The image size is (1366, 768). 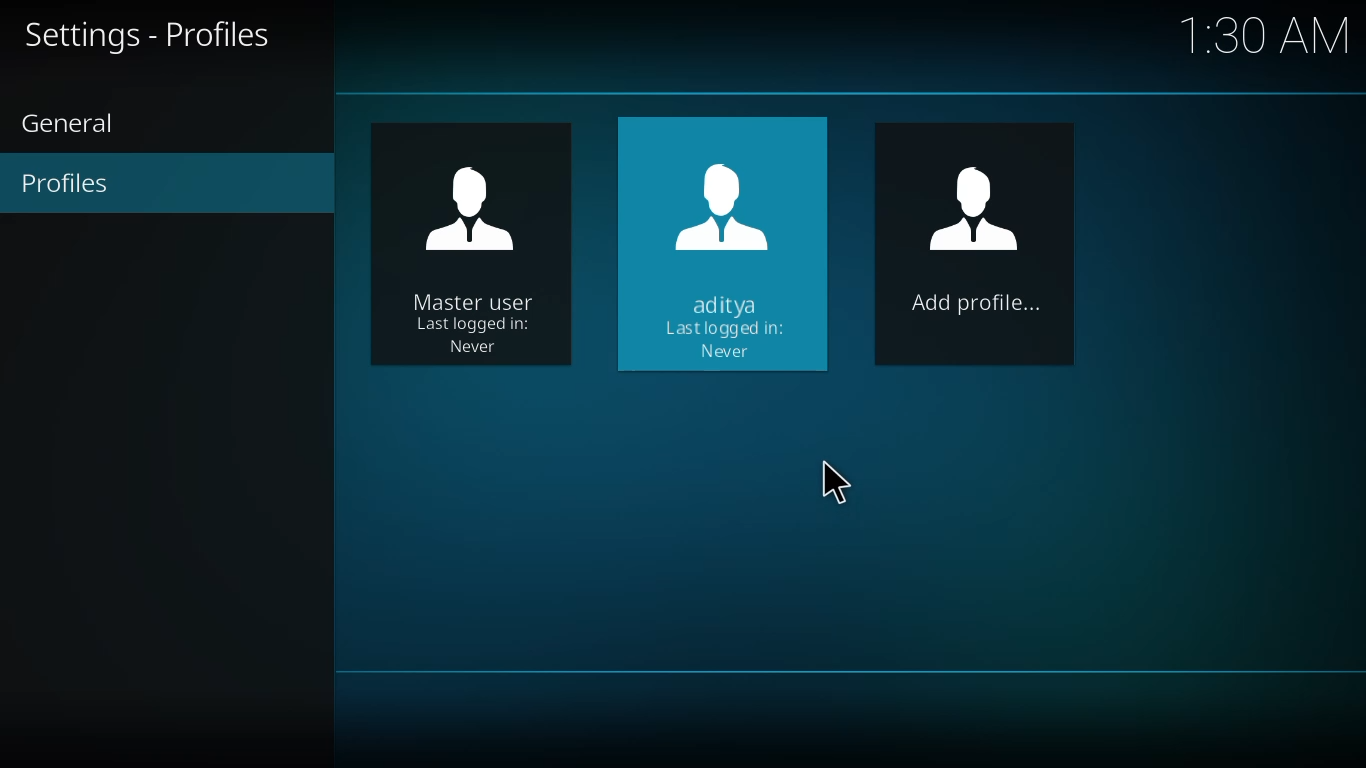 I want to click on time, so click(x=1263, y=37).